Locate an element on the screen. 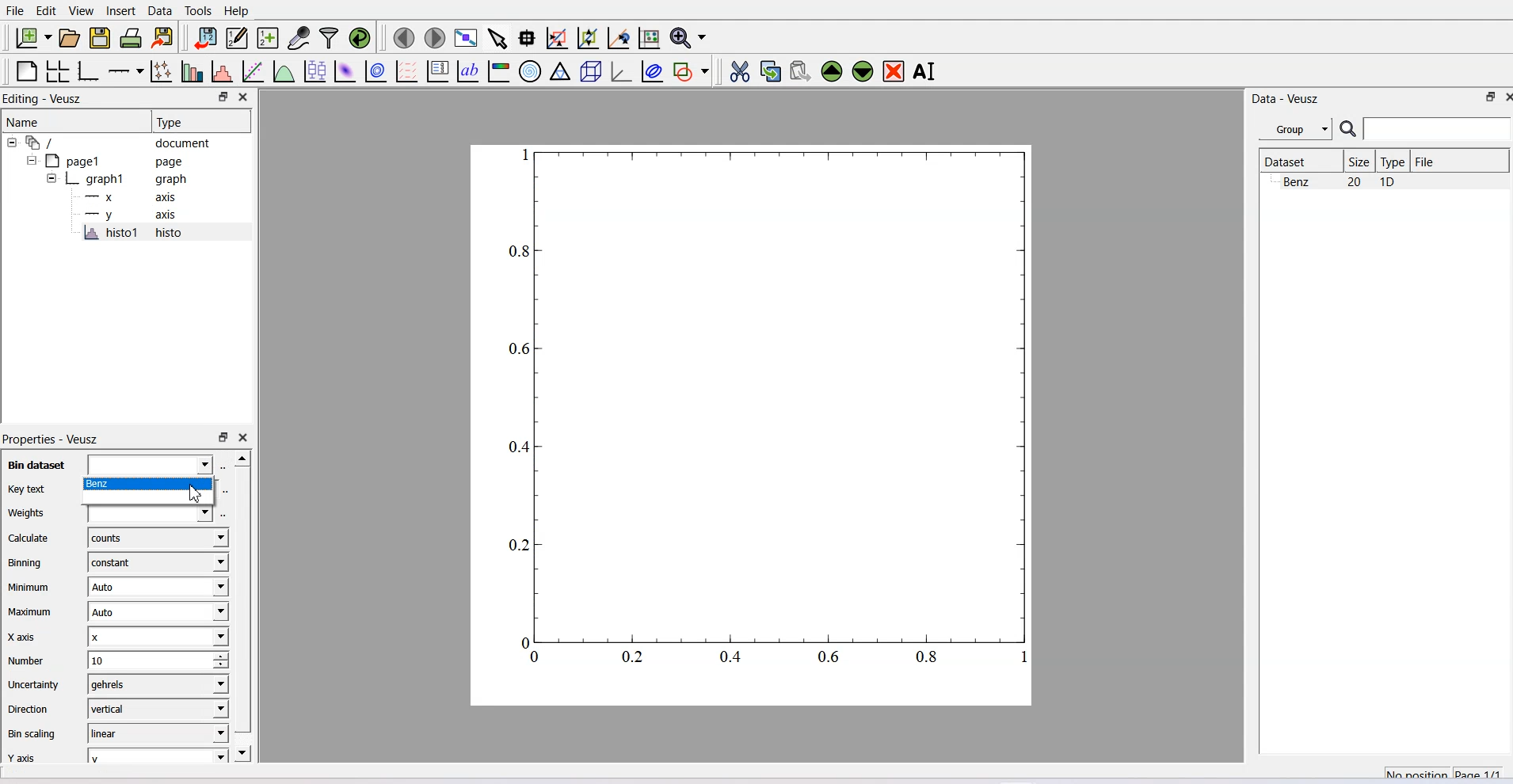 This screenshot has height=784, width=1513. Blank is located at coordinates (148, 499).